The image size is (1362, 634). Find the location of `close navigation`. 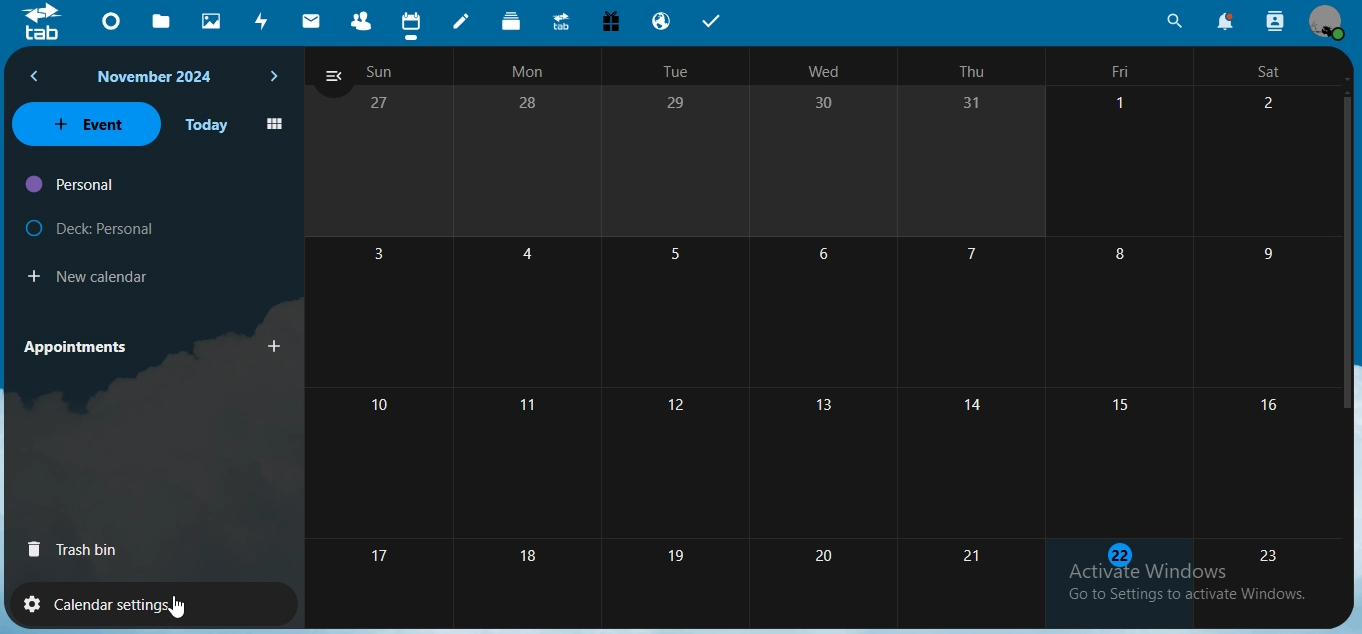

close navigation is located at coordinates (333, 78).